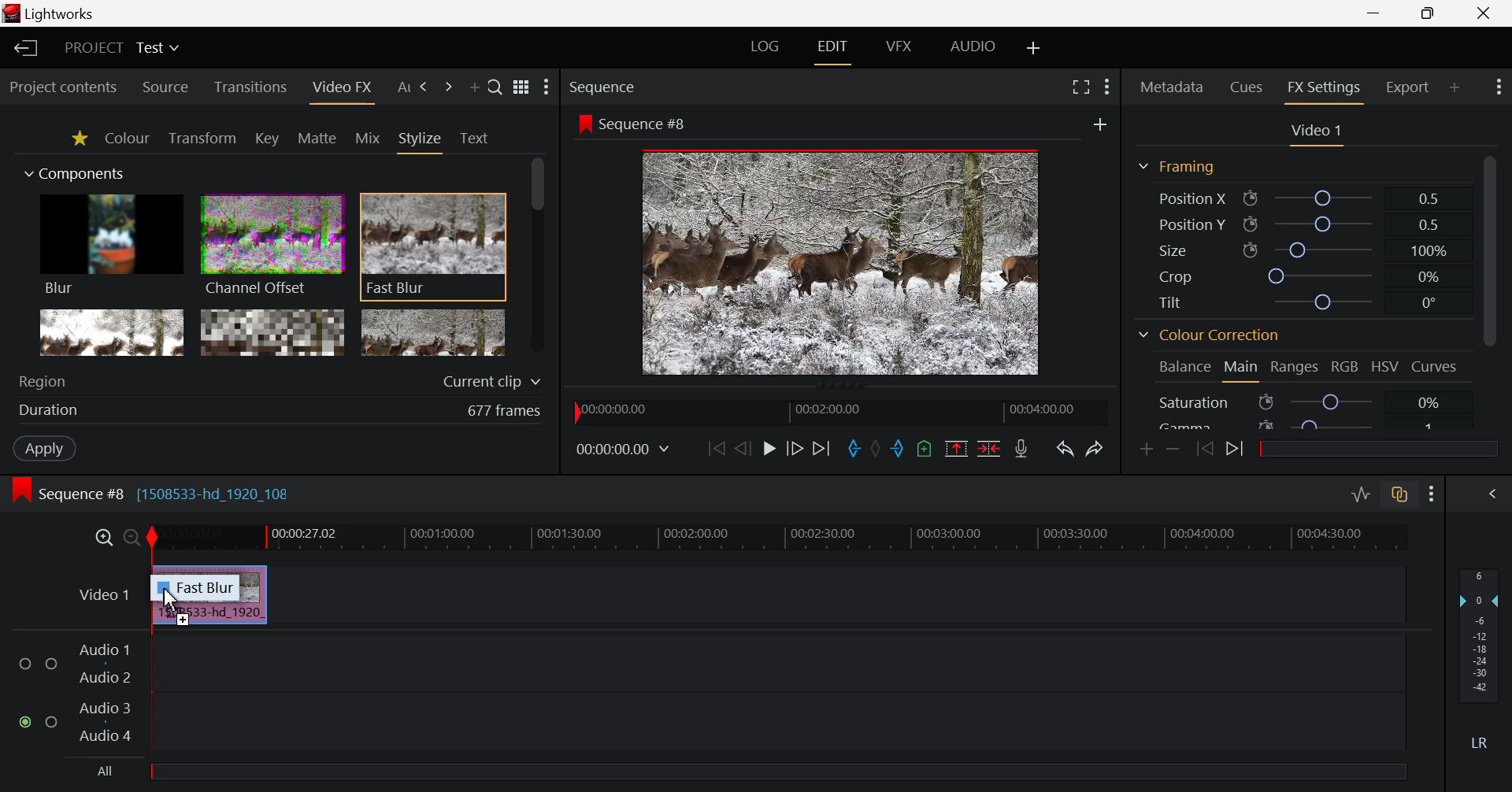 The height and width of the screenshot is (792, 1512). Describe the element at coordinates (991, 449) in the screenshot. I see `Delete/Cut` at that location.